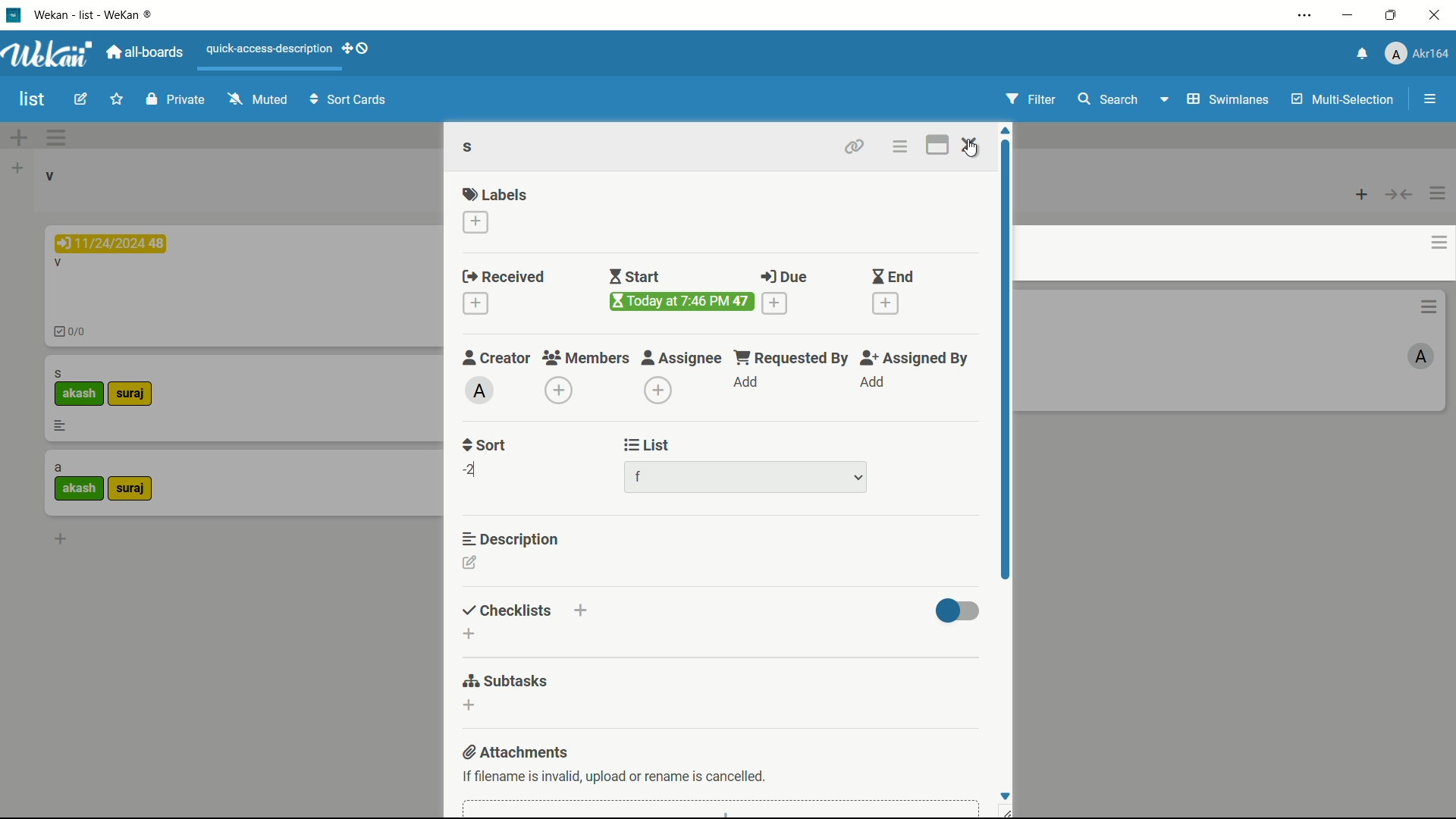 This screenshot has height=819, width=1456. I want to click on list name, so click(49, 176).